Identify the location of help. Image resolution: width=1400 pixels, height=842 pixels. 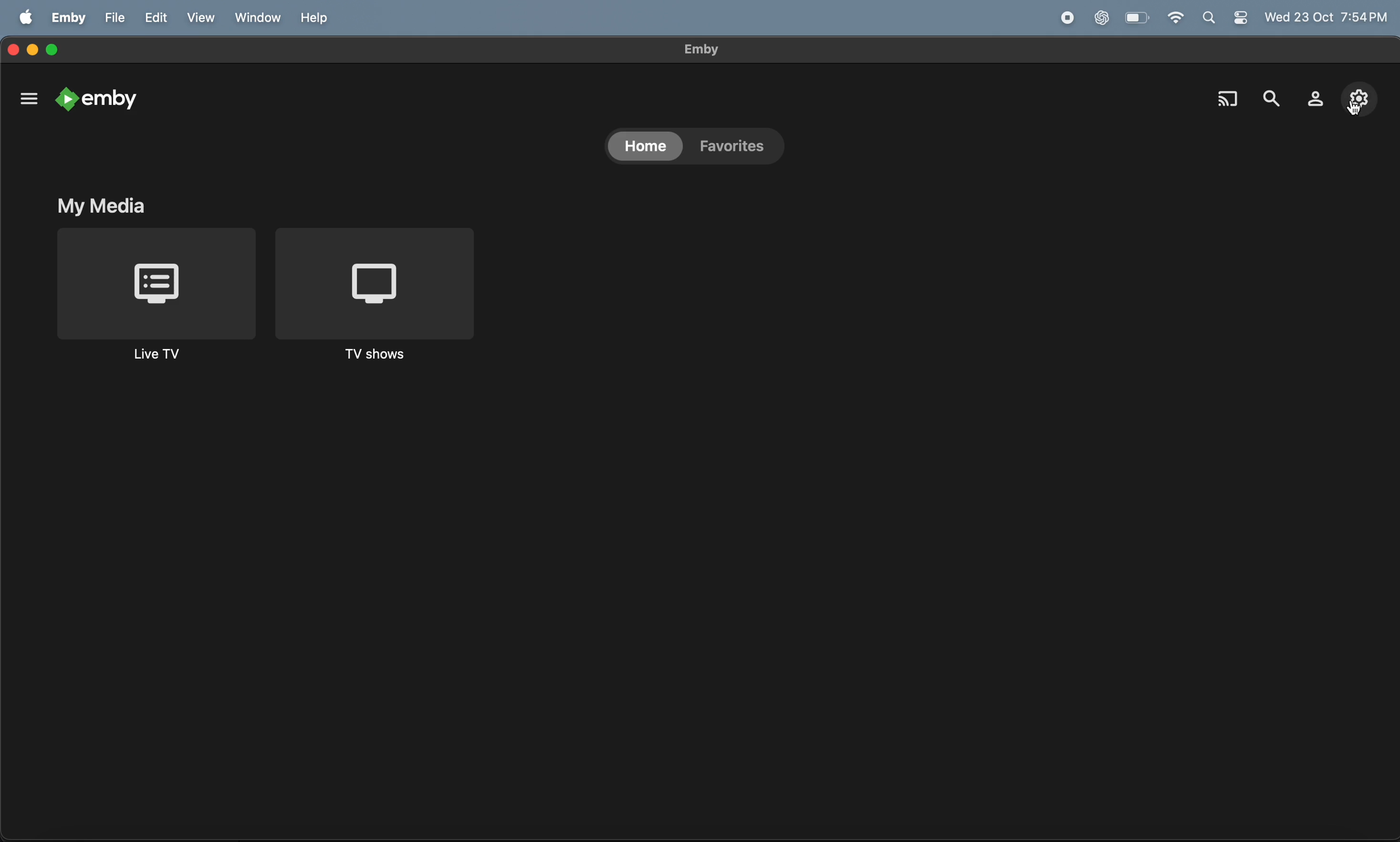
(318, 18).